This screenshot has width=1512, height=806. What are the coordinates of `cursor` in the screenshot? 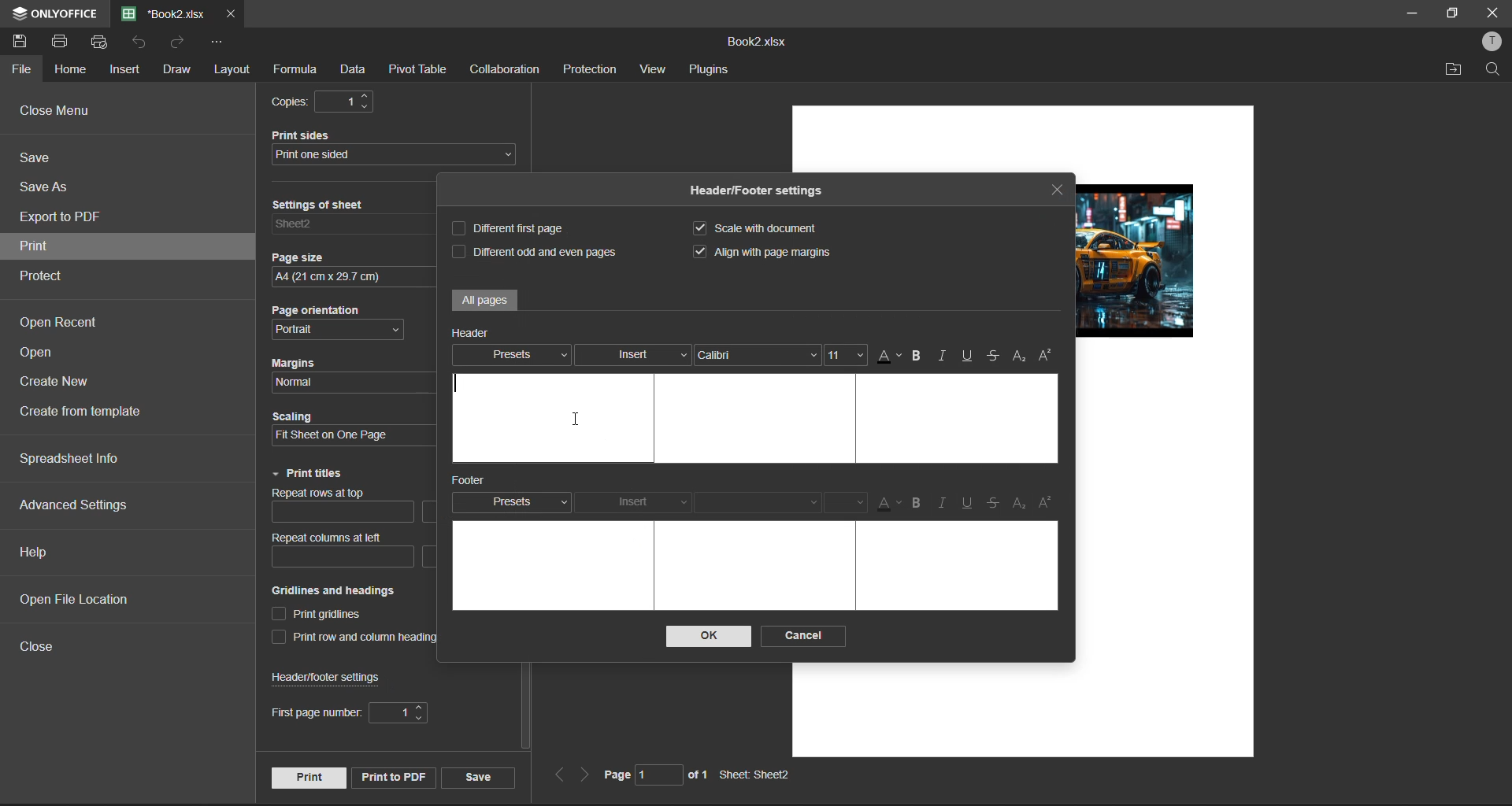 It's located at (576, 420).